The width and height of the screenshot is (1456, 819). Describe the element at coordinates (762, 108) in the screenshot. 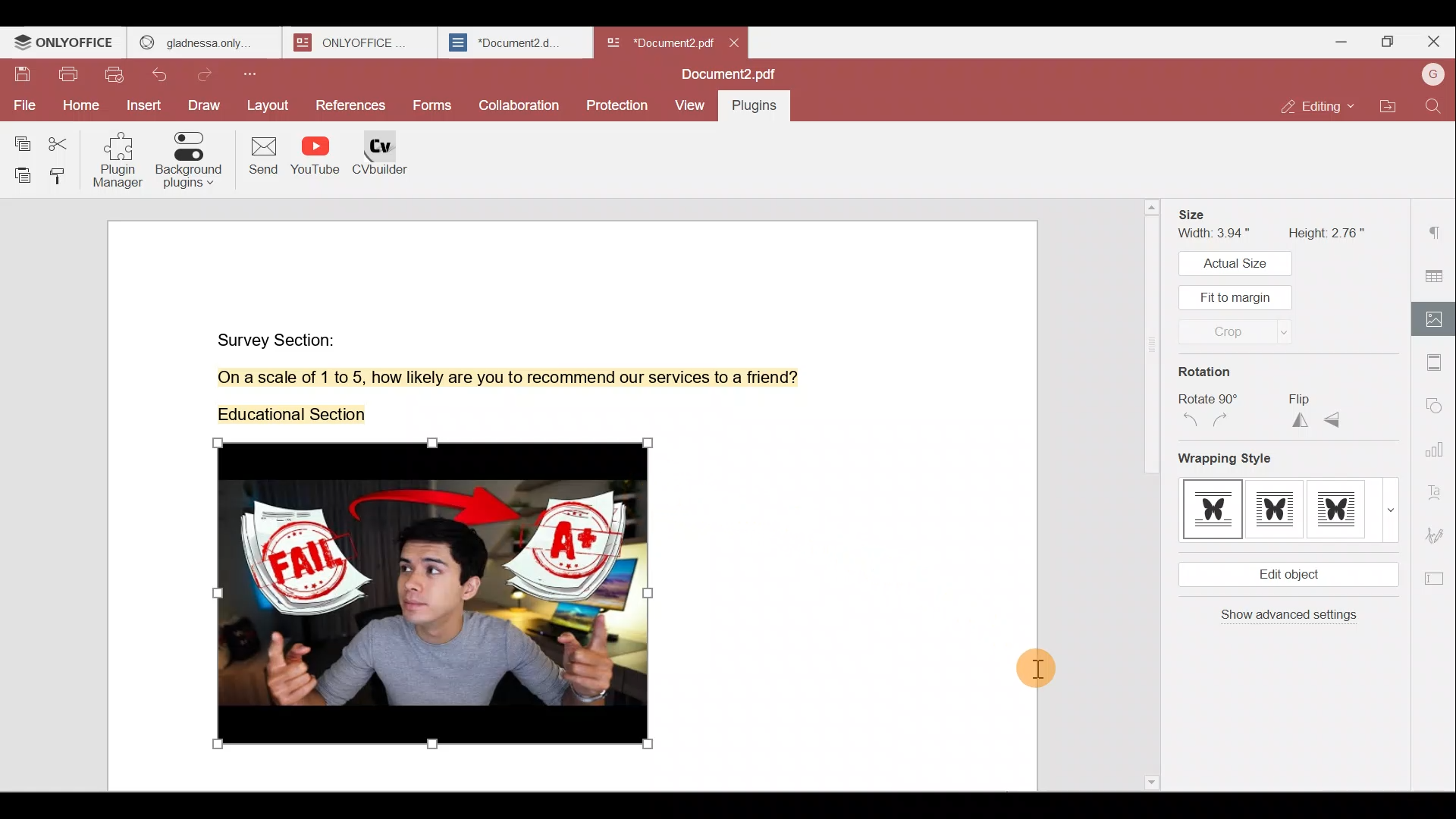

I see `plugins` at that location.